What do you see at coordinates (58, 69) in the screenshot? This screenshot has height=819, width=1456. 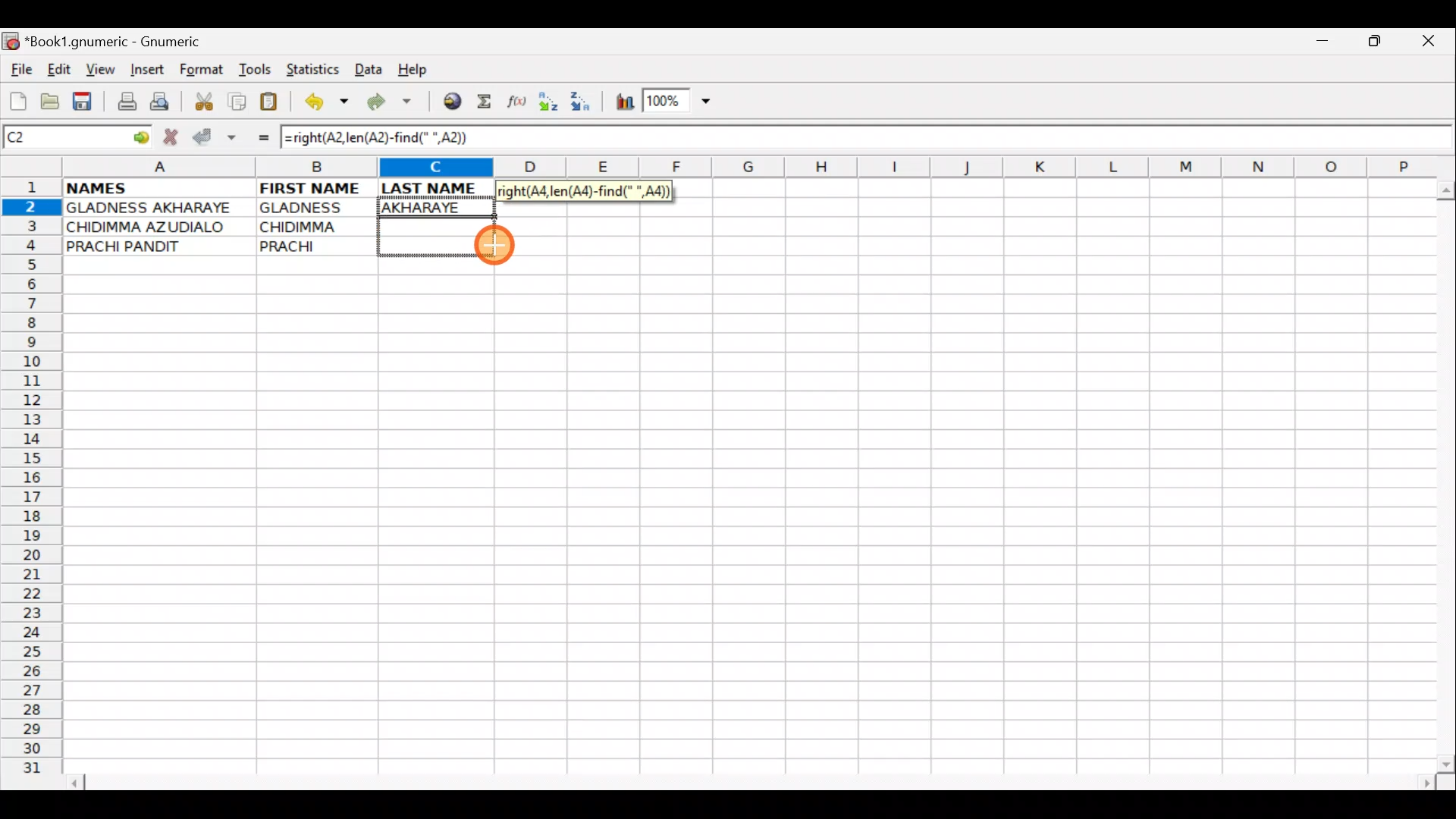 I see `Edit` at bounding box center [58, 69].